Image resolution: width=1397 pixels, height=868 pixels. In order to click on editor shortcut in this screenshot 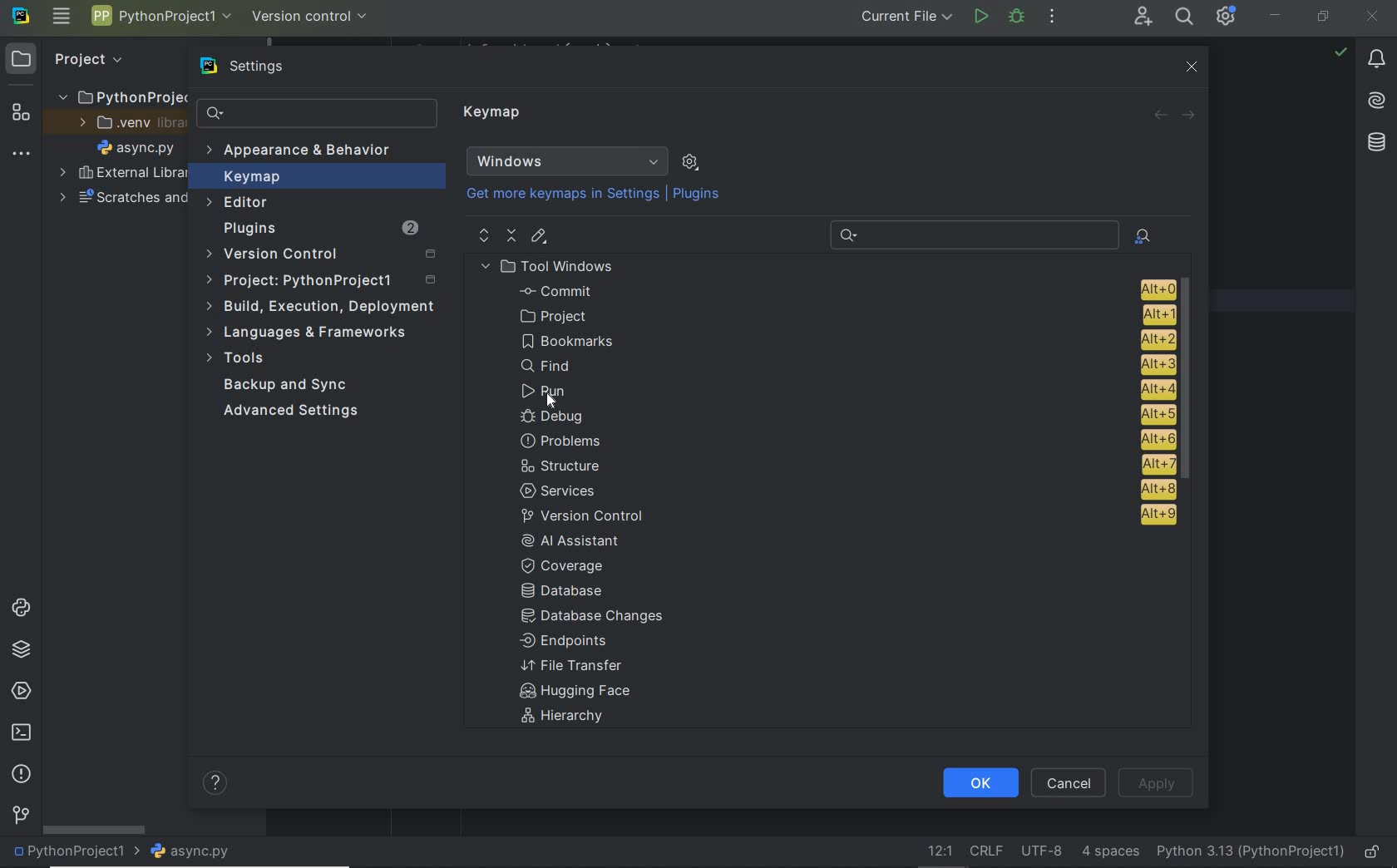, I will do `click(540, 238)`.